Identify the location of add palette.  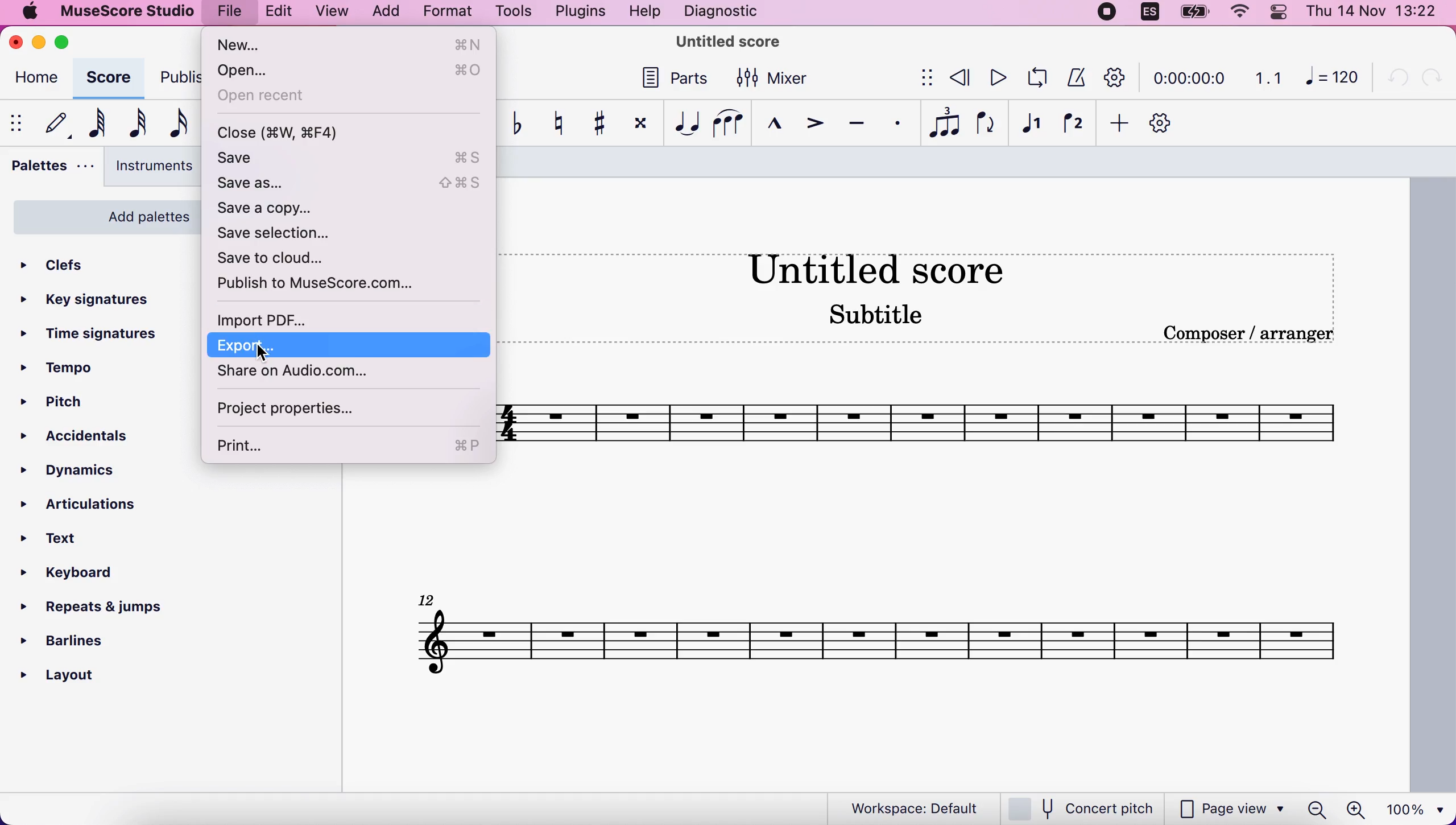
(104, 216).